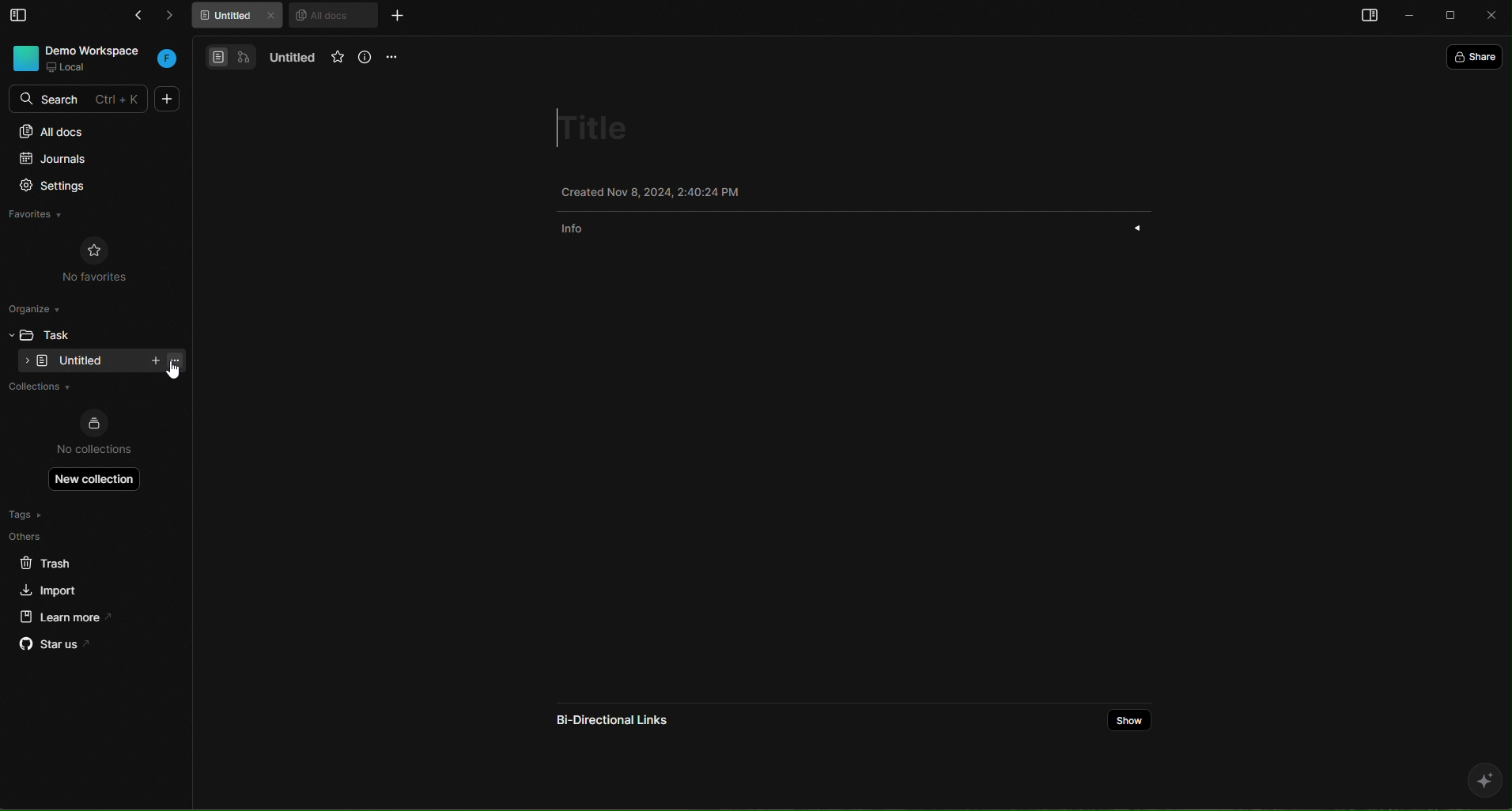  What do you see at coordinates (338, 58) in the screenshot?
I see `favorites` at bounding box center [338, 58].